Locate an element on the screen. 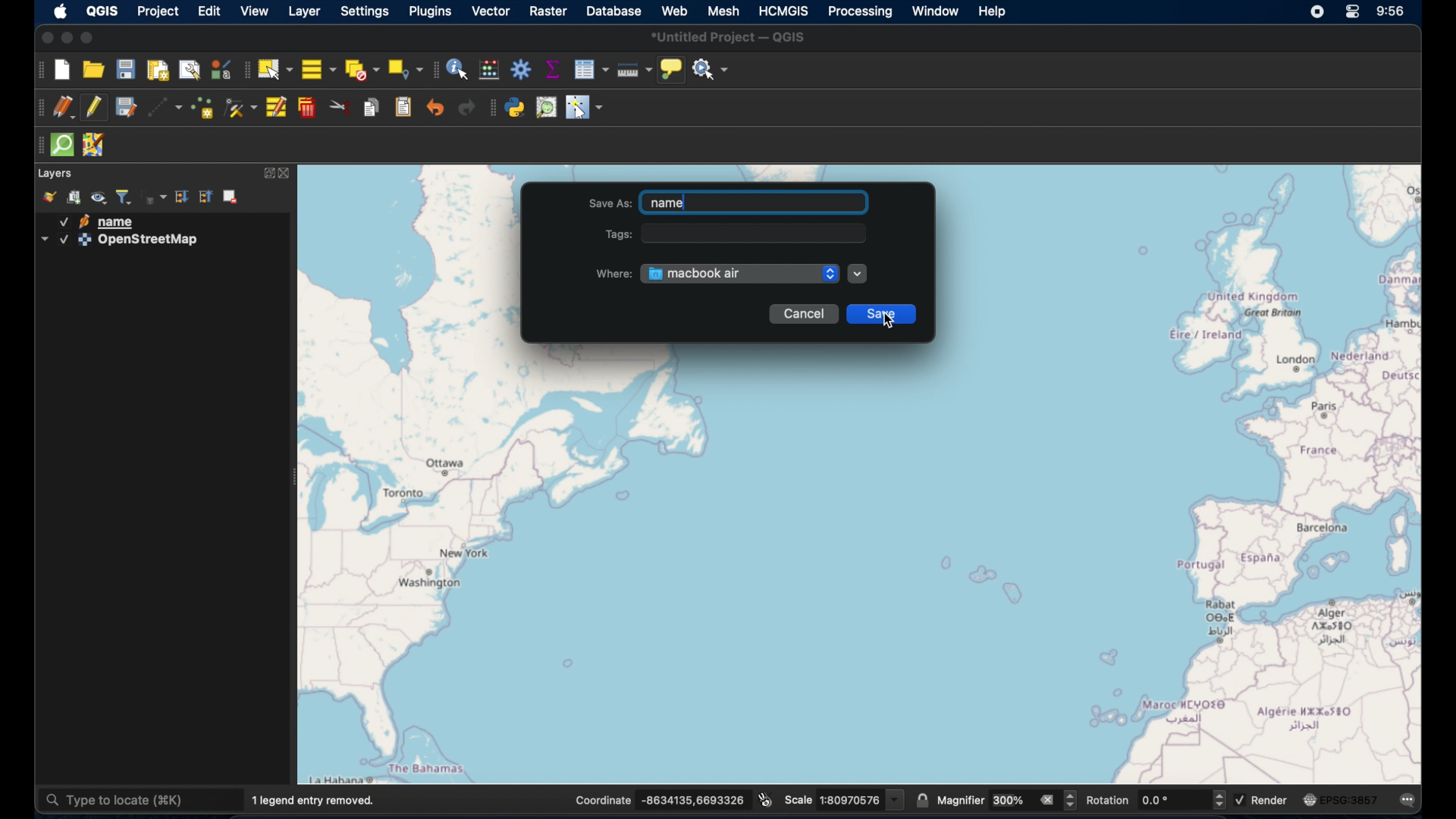 The image size is (1456, 819). view is located at coordinates (252, 11).